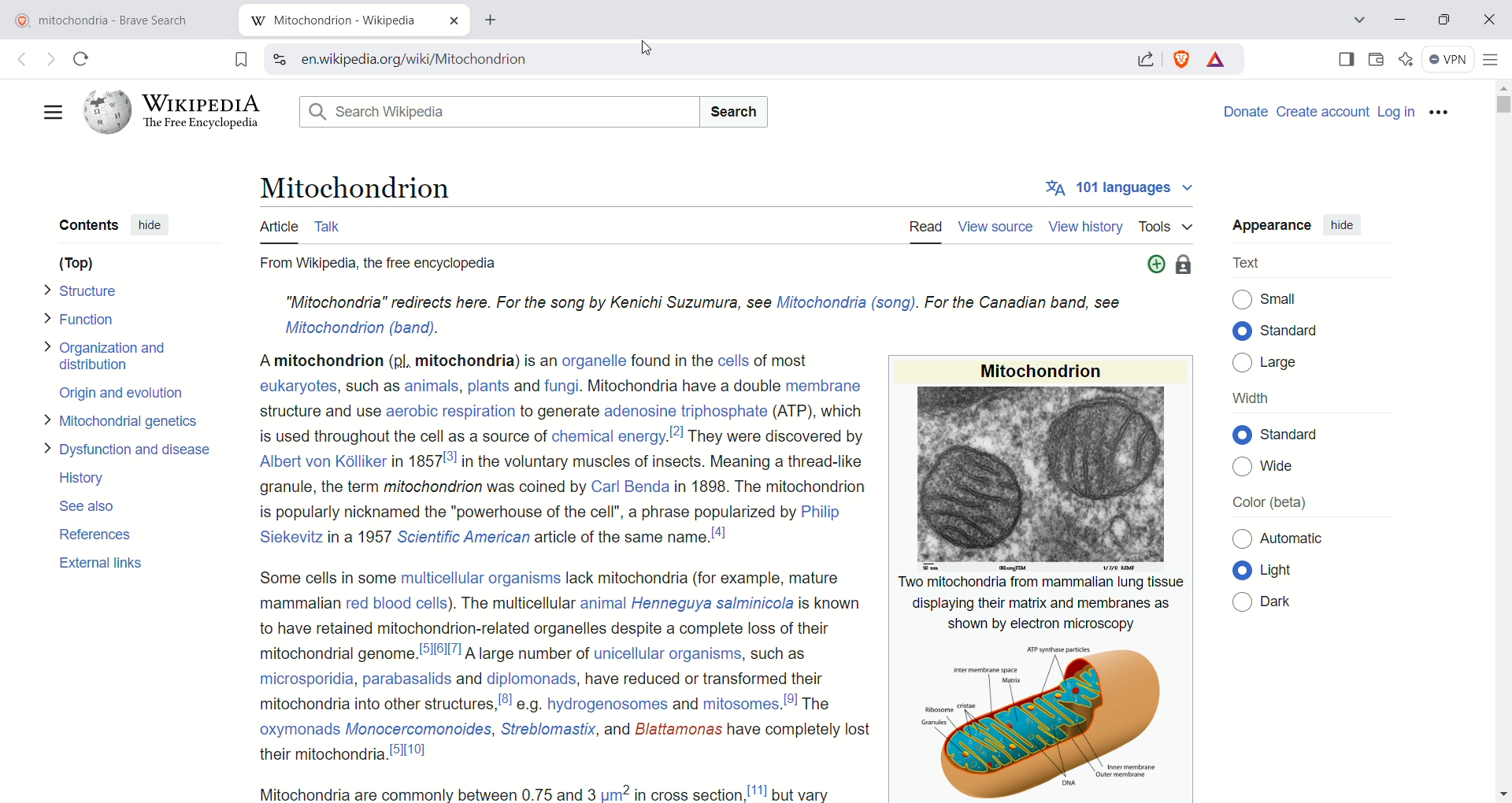  I want to click on menu, so click(1440, 113).